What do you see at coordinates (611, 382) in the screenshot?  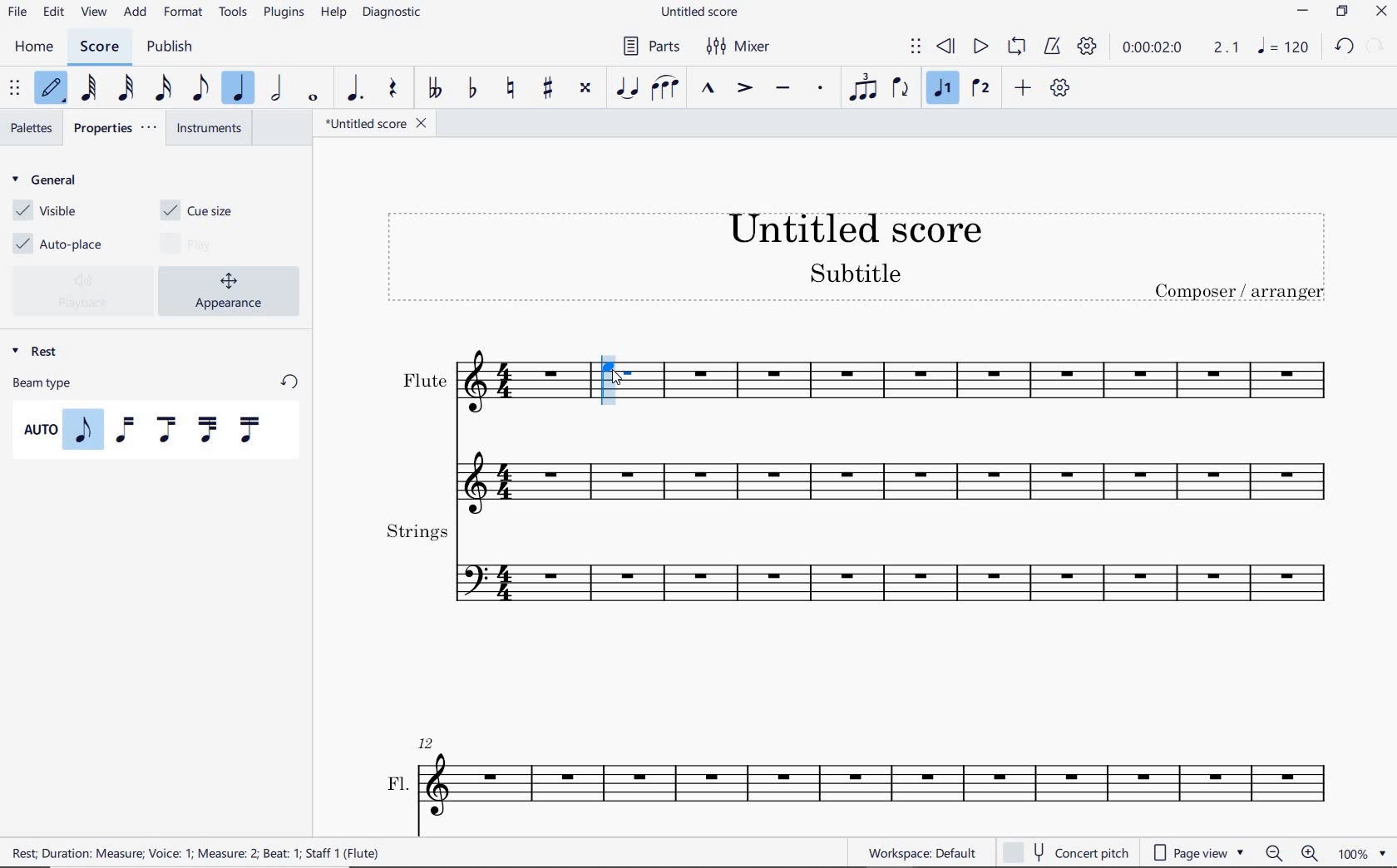 I see `CUE NOTE: QUARTER` at bounding box center [611, 382].